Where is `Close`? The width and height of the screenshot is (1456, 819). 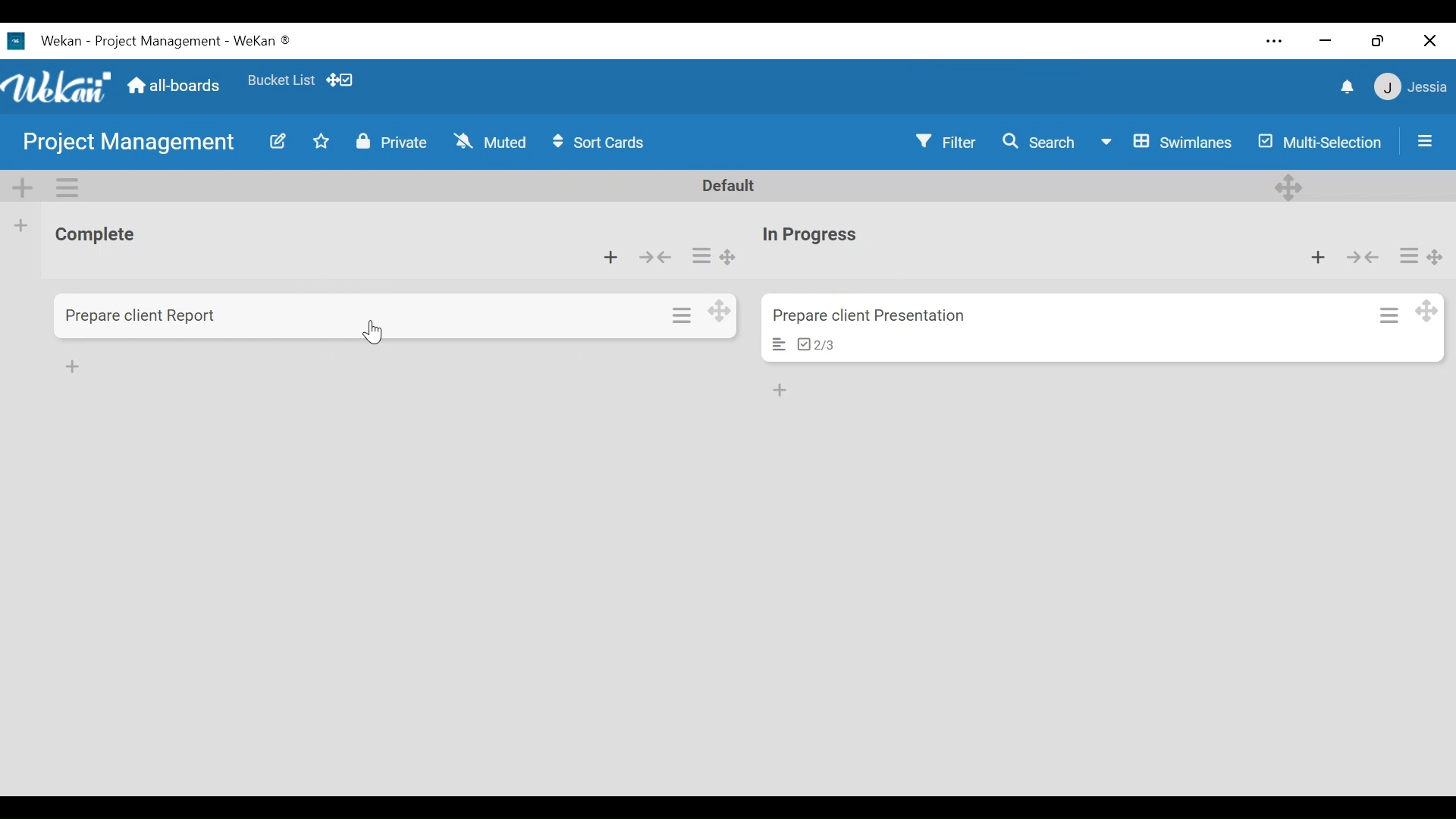 Close is located at coordinates (1432, 40).